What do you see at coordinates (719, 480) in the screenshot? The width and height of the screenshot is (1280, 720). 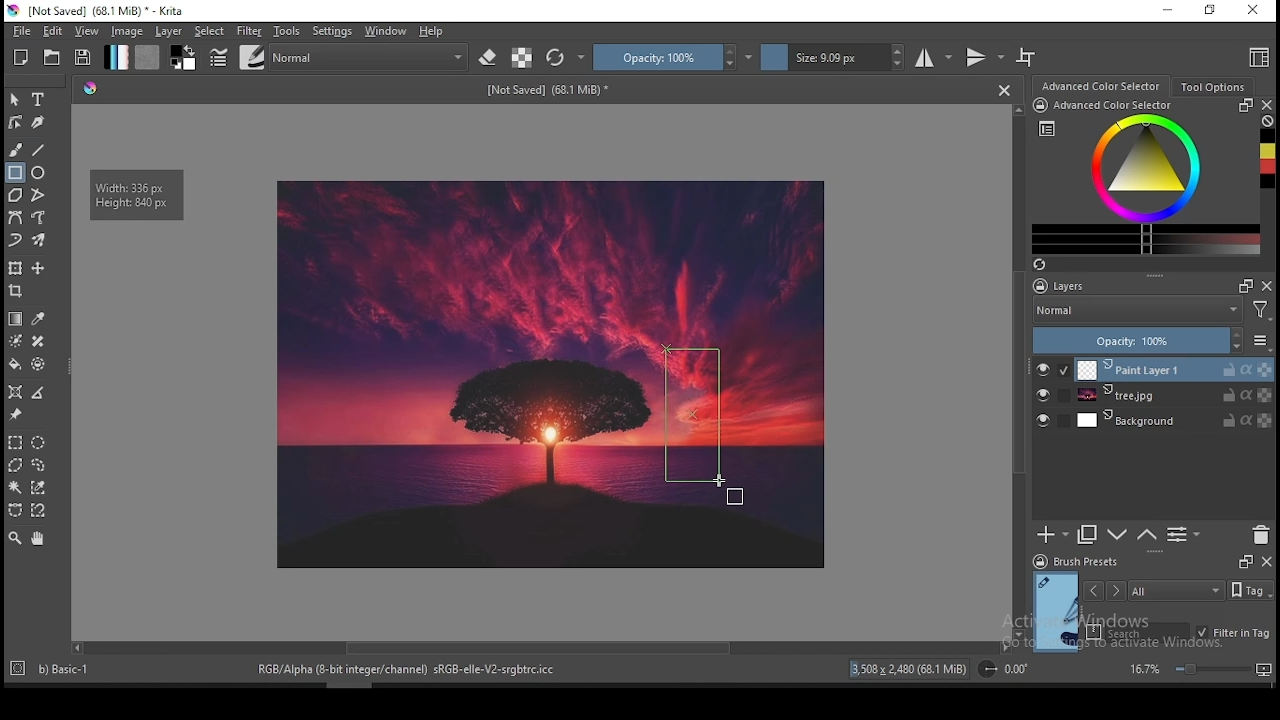 I see `cursor` at bounding box center [719, 480].